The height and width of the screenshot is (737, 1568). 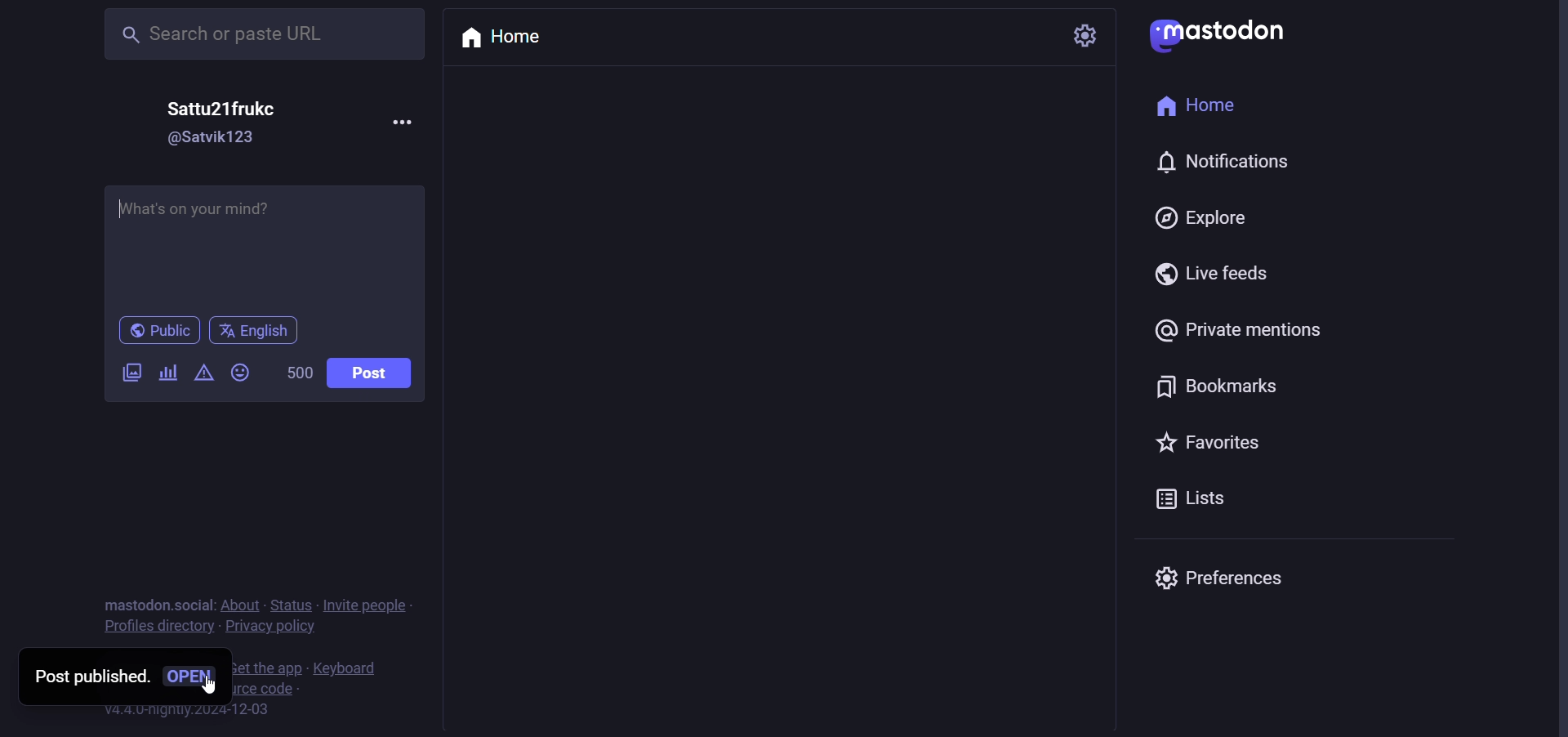 I want to click on open, so click(x=194, y=679).